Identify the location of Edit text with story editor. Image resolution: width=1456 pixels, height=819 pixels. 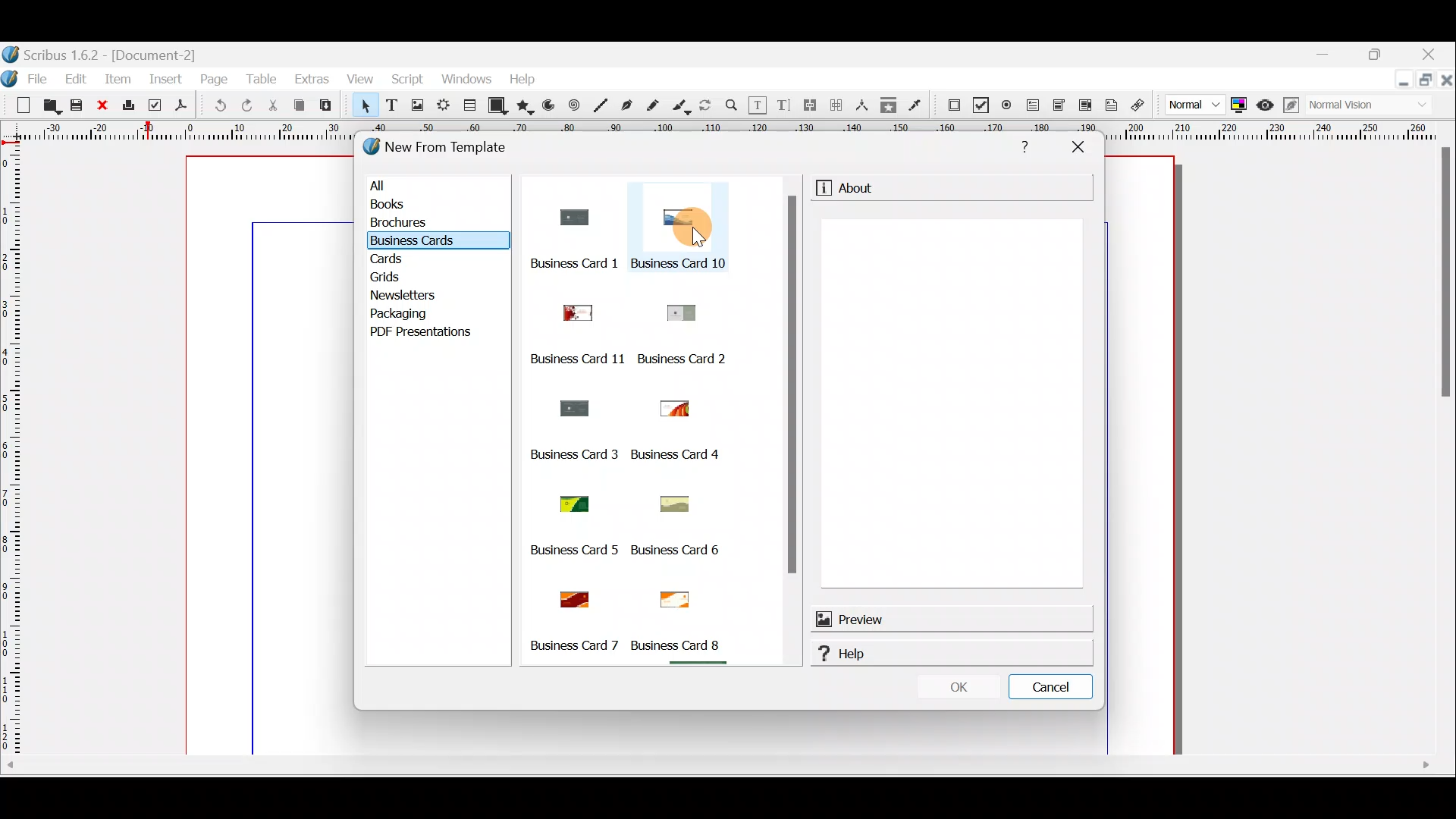
(784, 104).